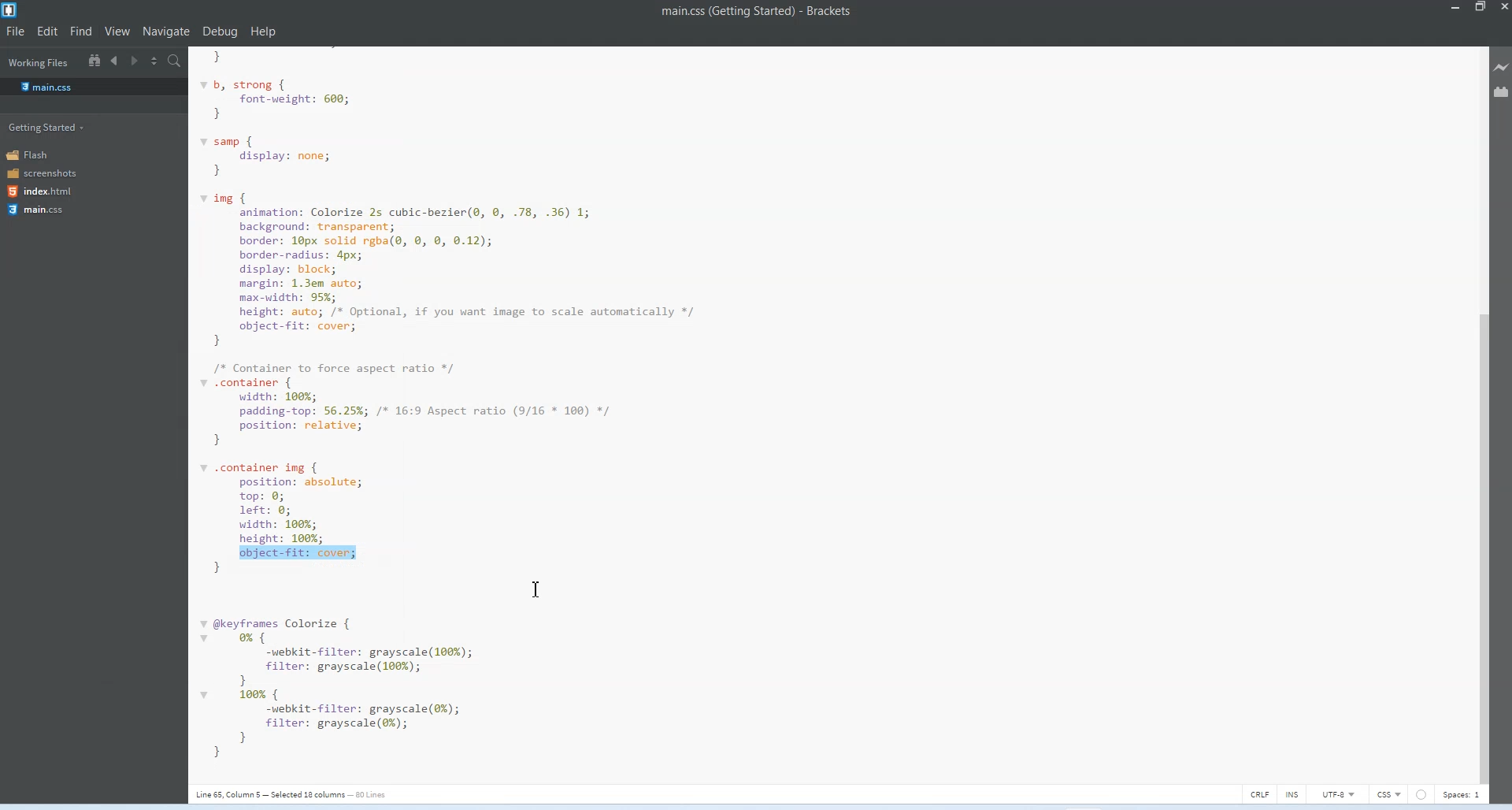 This screenshot has height=810, width=1512. Describe the element at coordinates (46, 86) in the screenshot. I see `main.css` at that location.